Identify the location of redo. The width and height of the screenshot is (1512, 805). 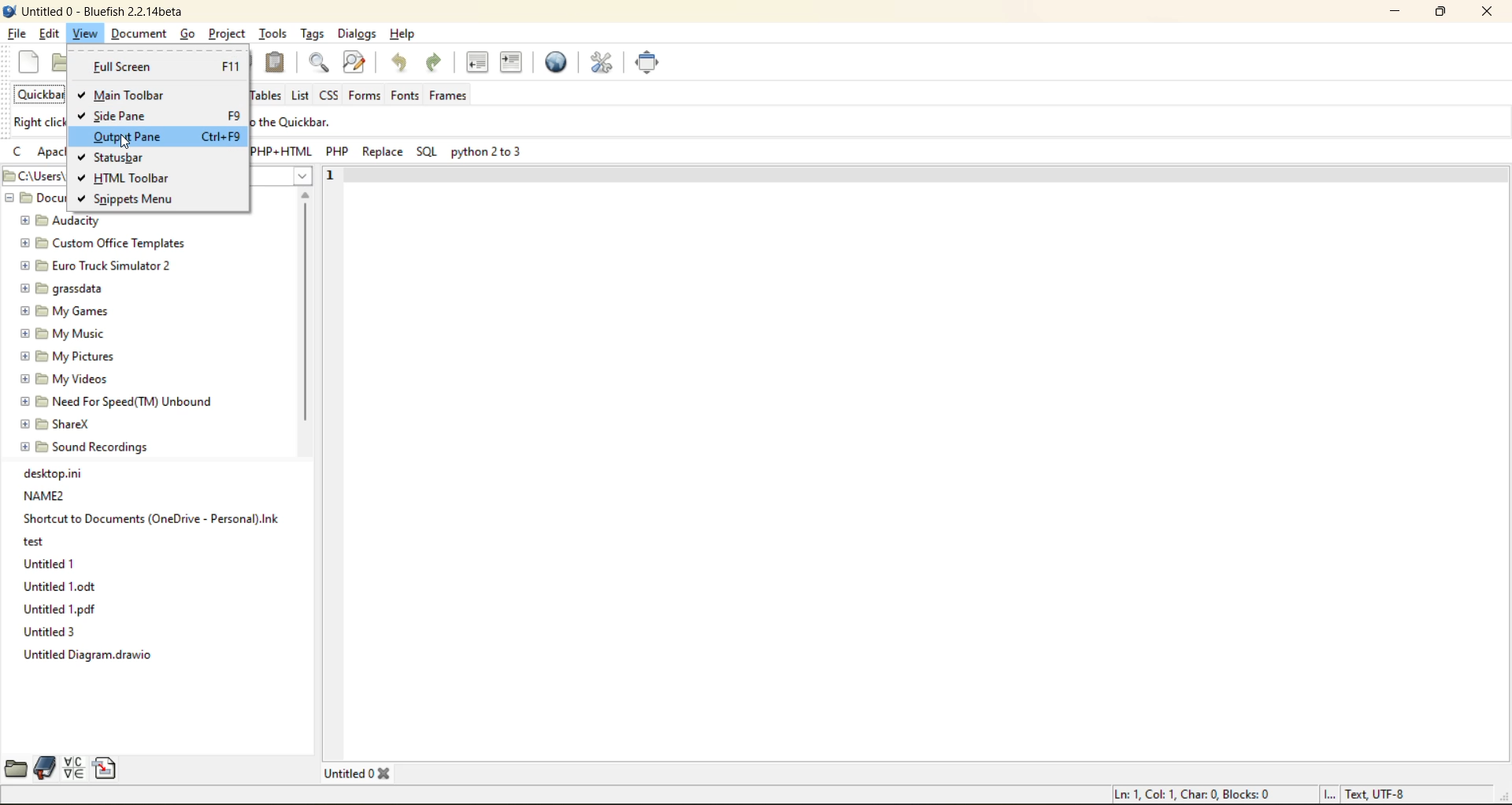
(437, 63).